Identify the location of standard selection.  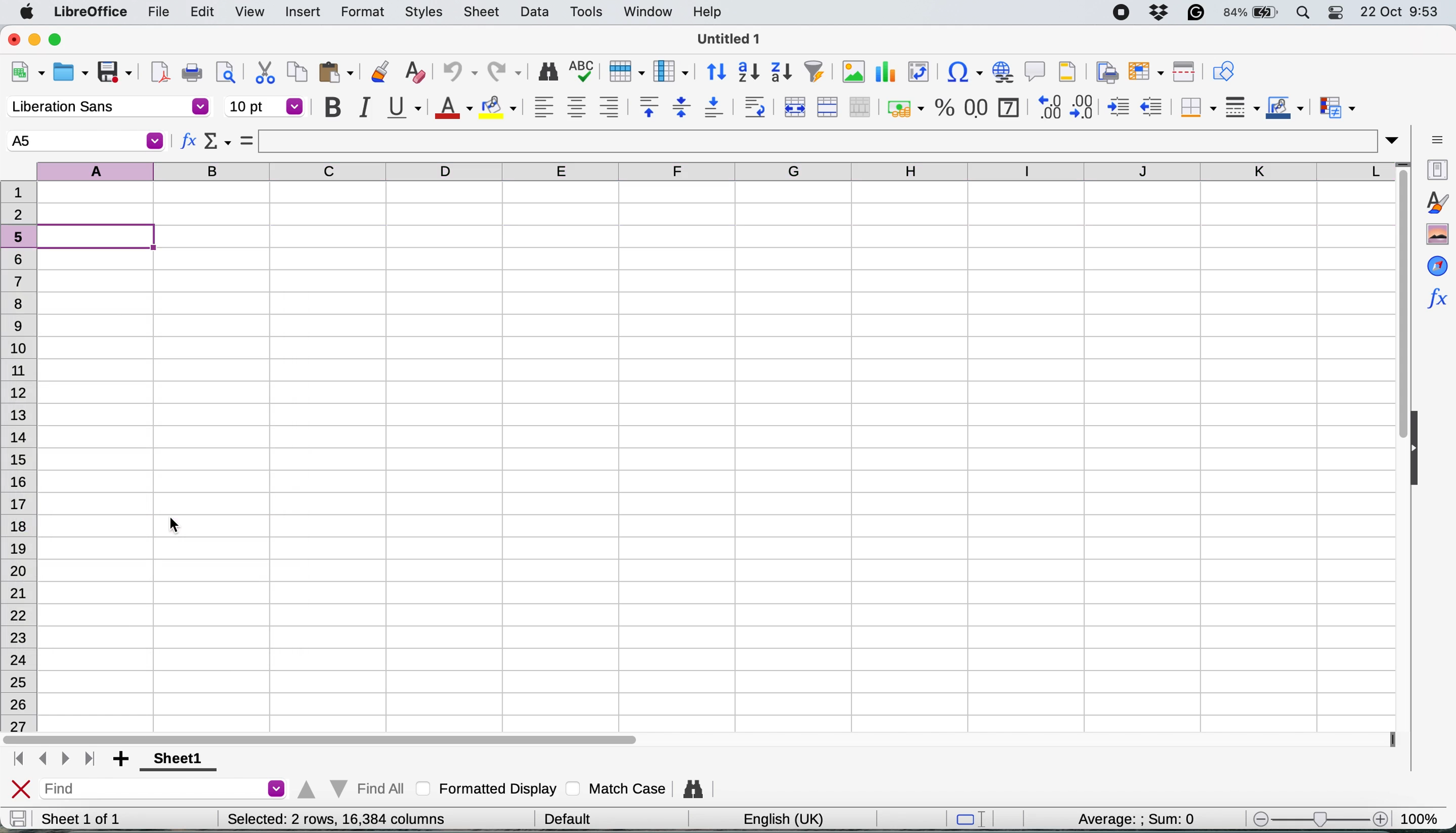
(975, 820).